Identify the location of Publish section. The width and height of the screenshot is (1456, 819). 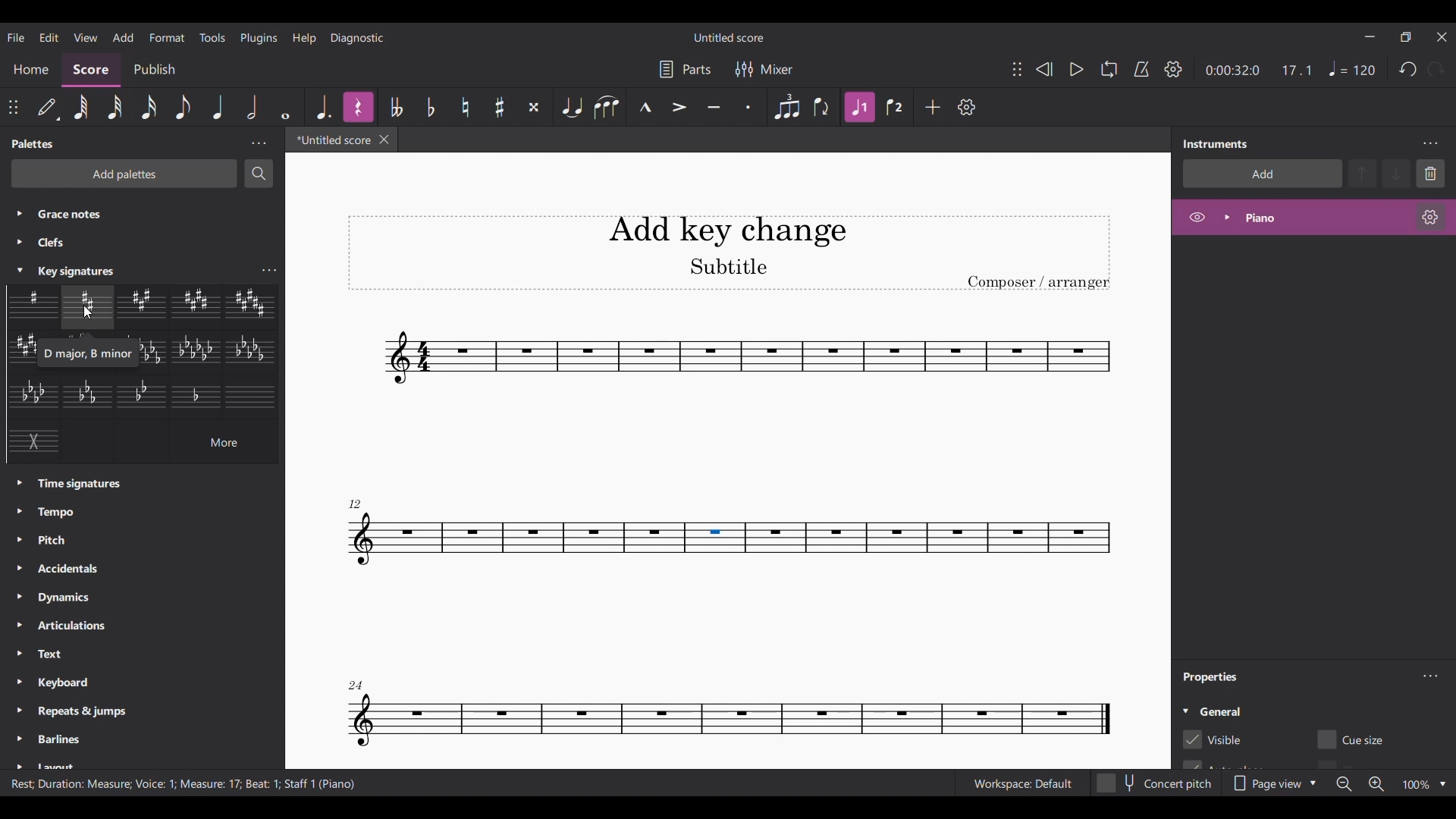
(155, 70).